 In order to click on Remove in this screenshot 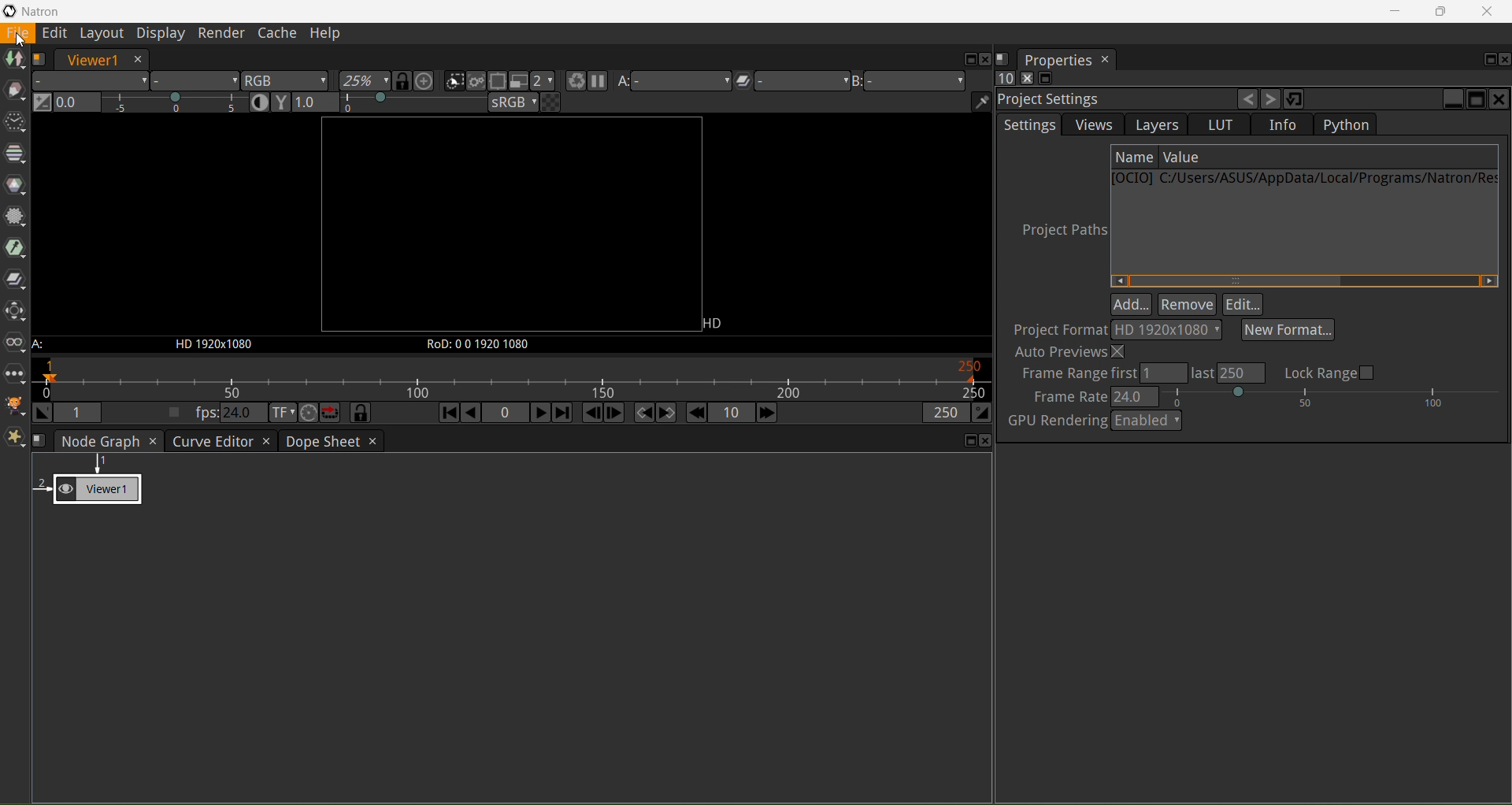, I will do `click(1187, 304)`.